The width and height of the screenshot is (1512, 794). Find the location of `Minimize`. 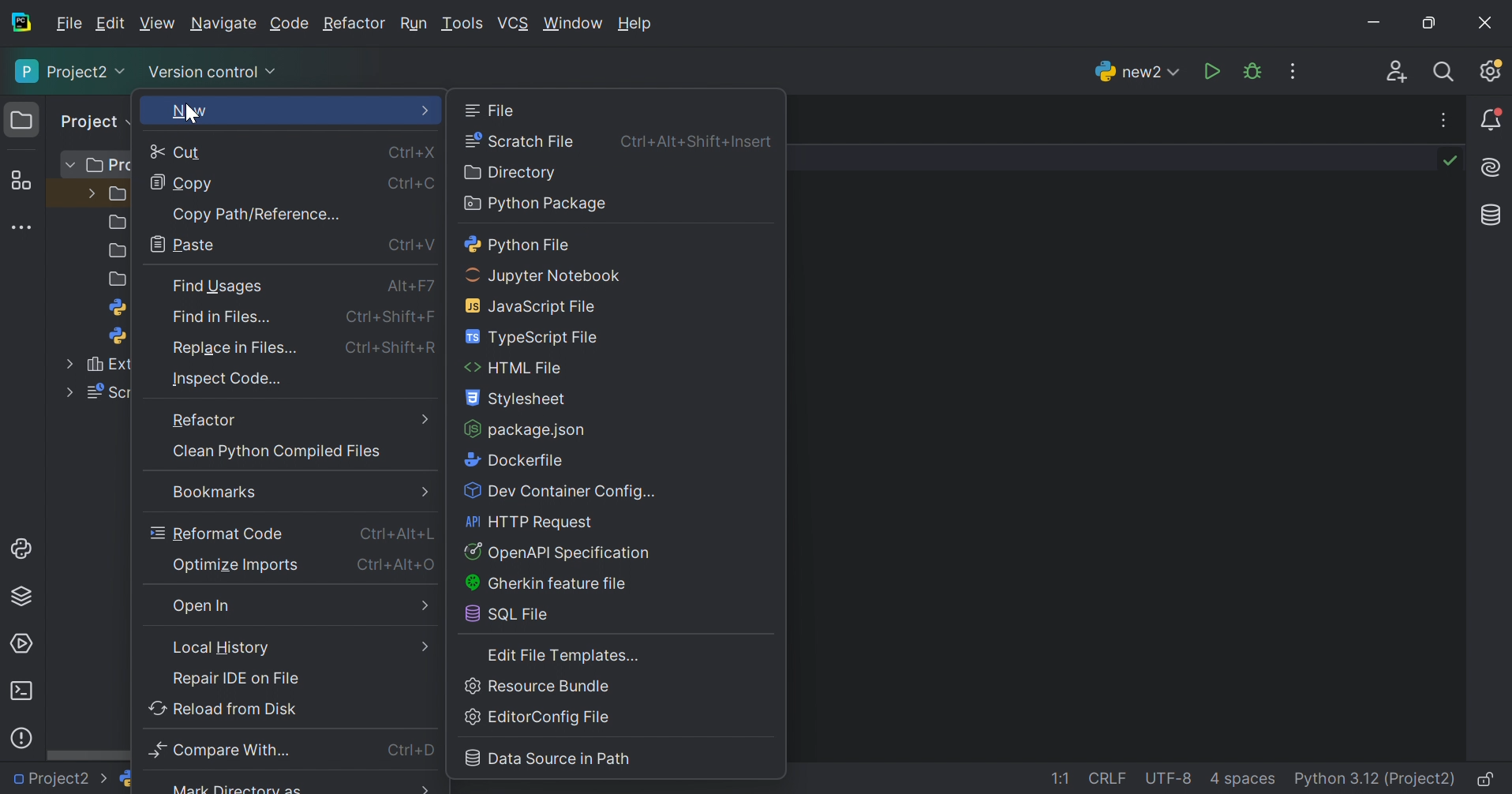

Minimize is located at coordinates (1372, 23).